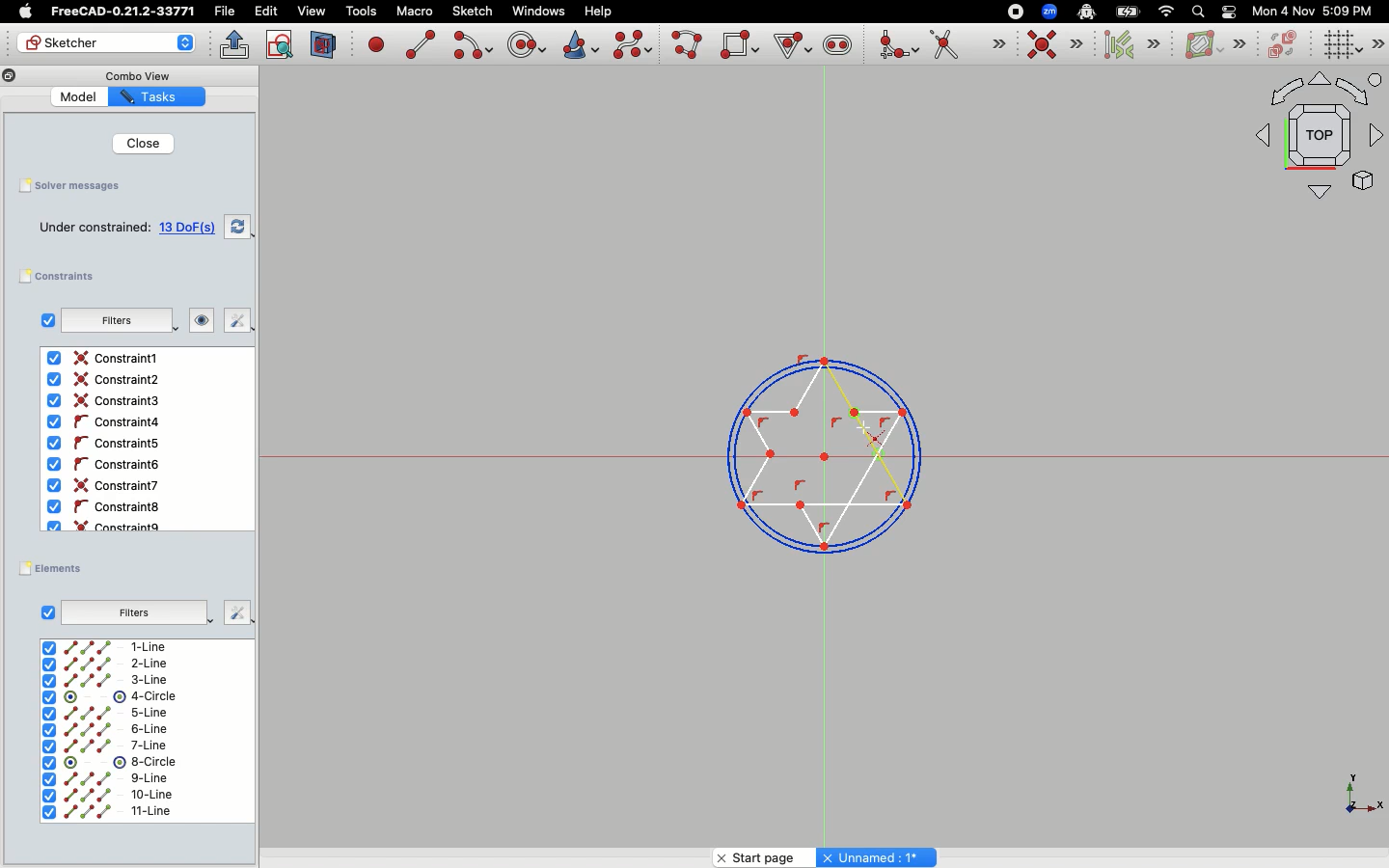 Image resolution: width=1389 pixels, height=868 pixels. Describe the element at coordinates (474, 12) in the screenshot. I see `Sketch` at that location.